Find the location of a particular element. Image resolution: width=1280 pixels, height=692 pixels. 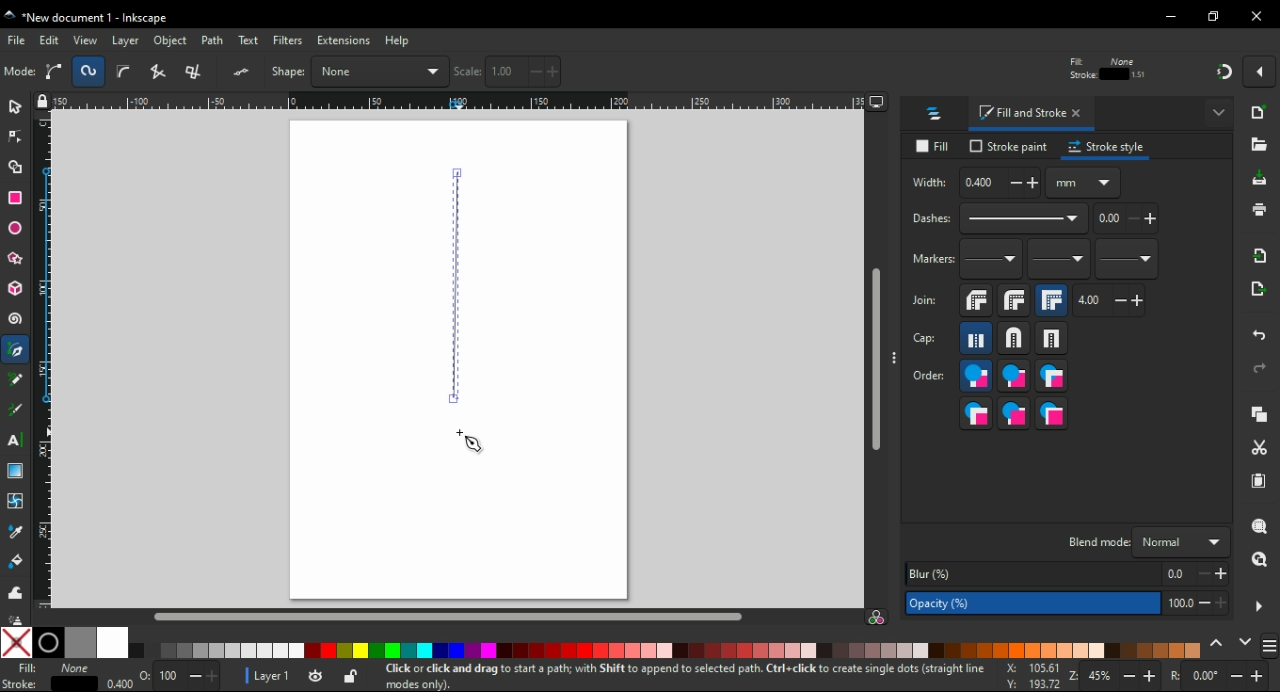

print is located at coordinates (1258, 209).